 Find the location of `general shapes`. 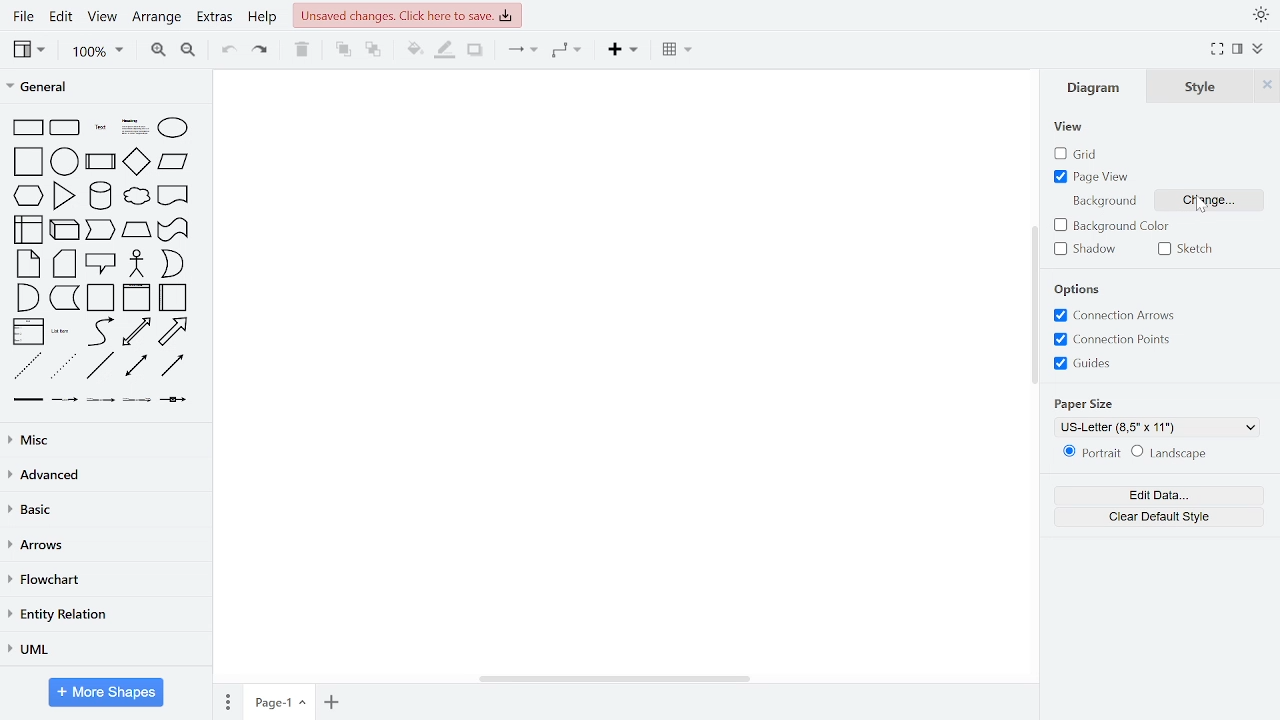

general shapes is located at coordinates (97, 365).